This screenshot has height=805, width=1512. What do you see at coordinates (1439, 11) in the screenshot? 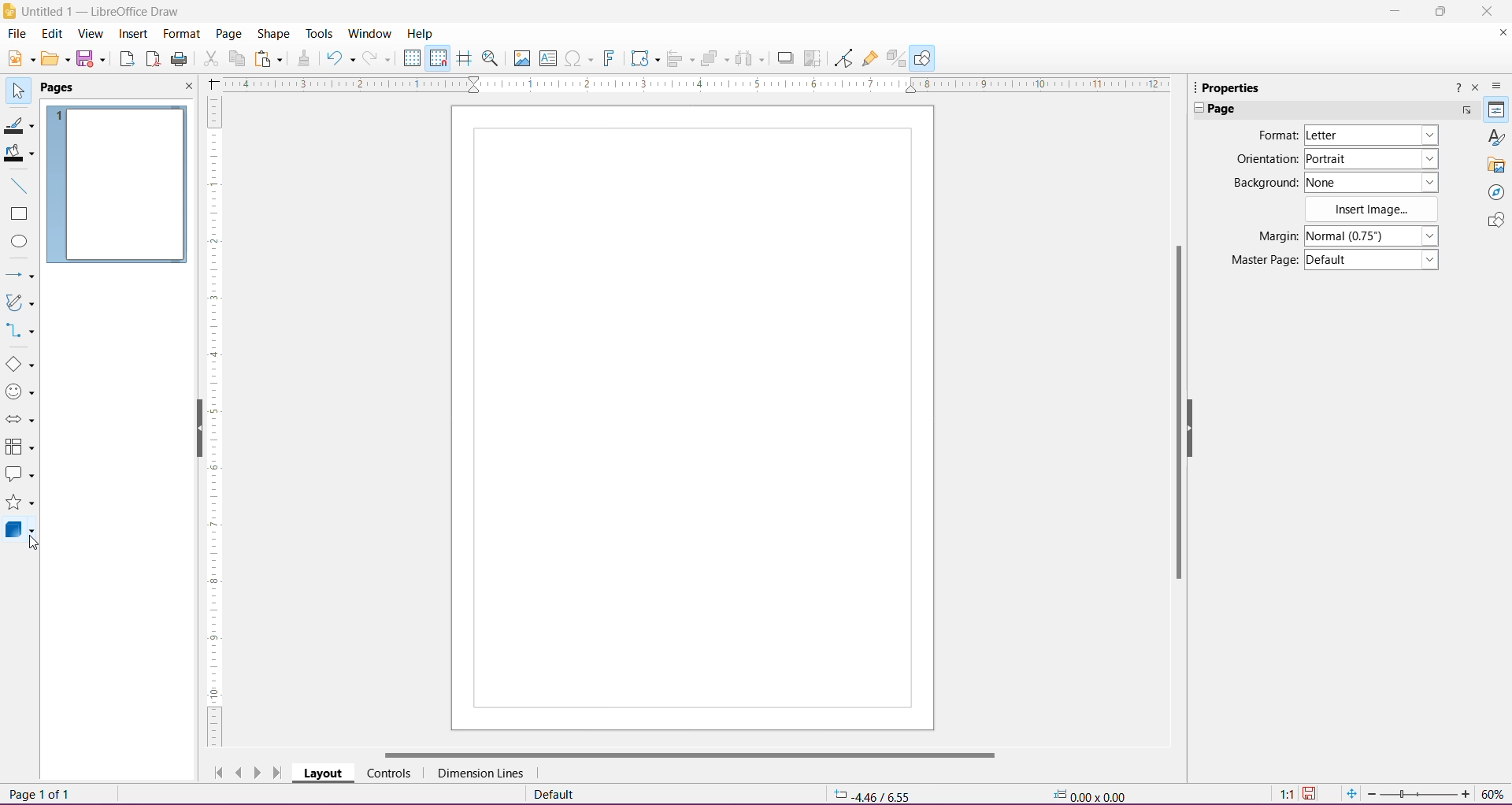
I see `Restore Down` at bounding box center [1439, 11].